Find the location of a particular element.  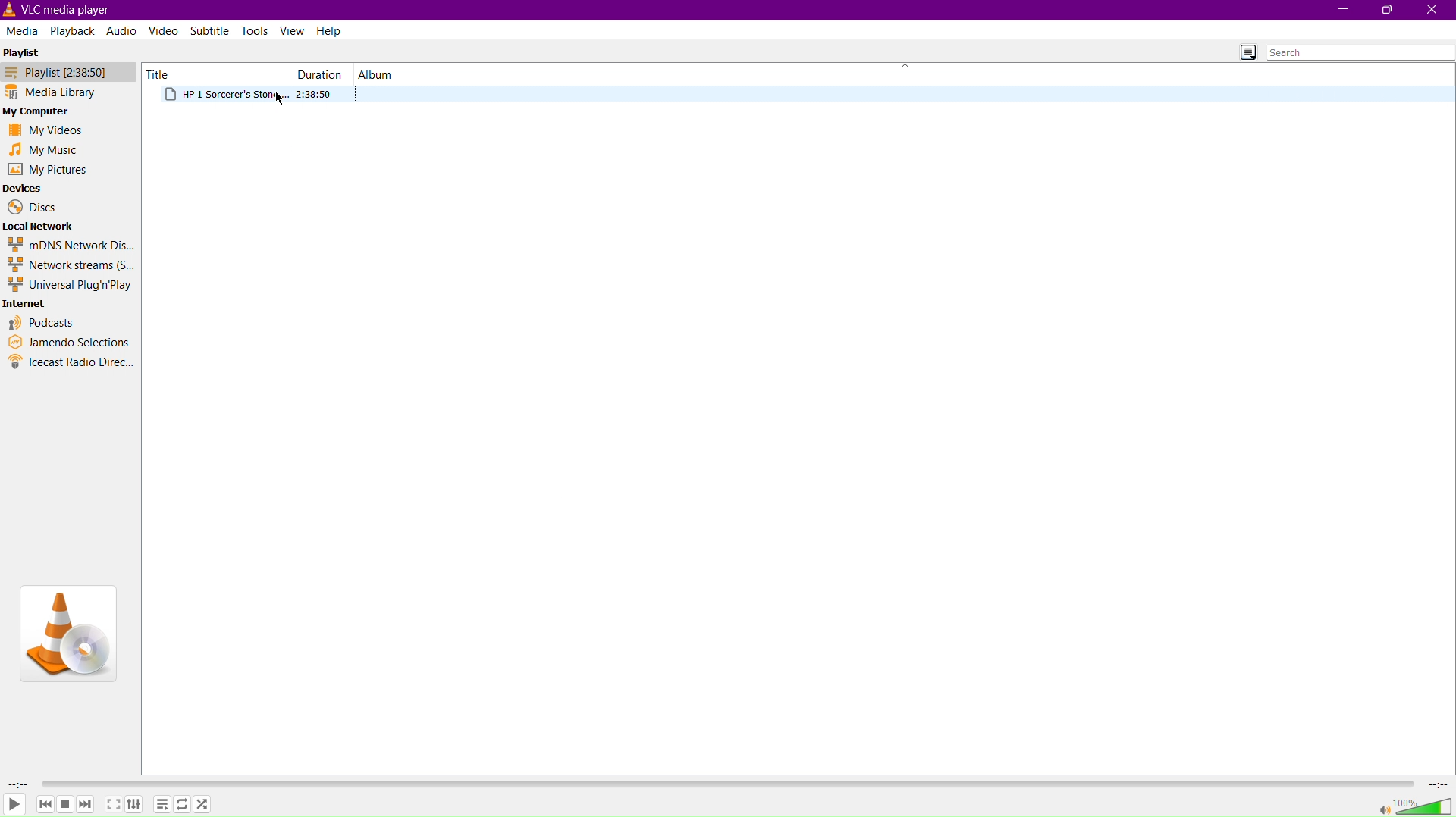

Media Library is located at coordinates (70, 91).